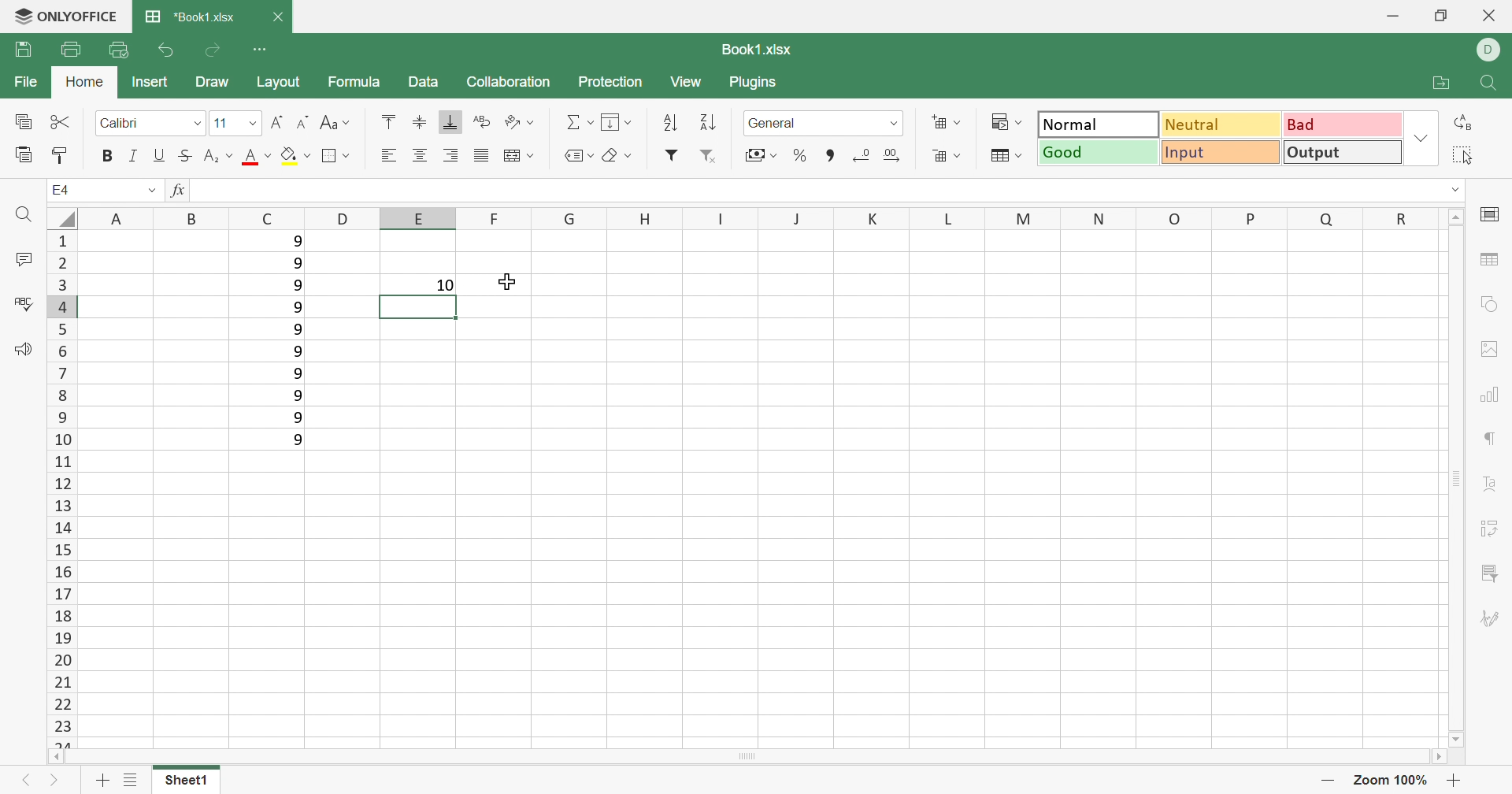  Describe the element at coordinates (218, 120) in the screenshot. I see `11` at that location.